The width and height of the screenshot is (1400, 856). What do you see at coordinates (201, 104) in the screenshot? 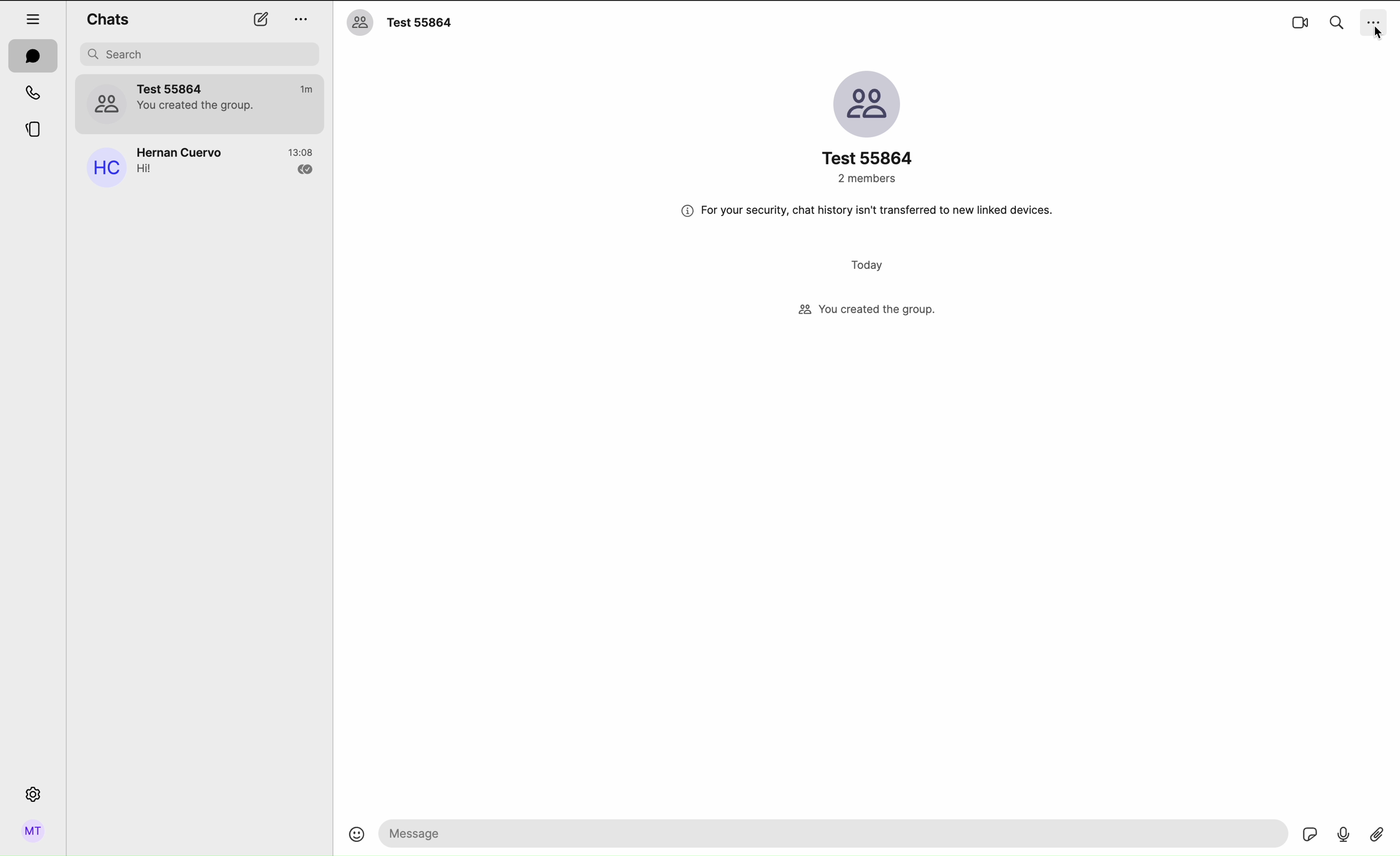
I see `Test 55864 group` at bounding box center [201, 104].